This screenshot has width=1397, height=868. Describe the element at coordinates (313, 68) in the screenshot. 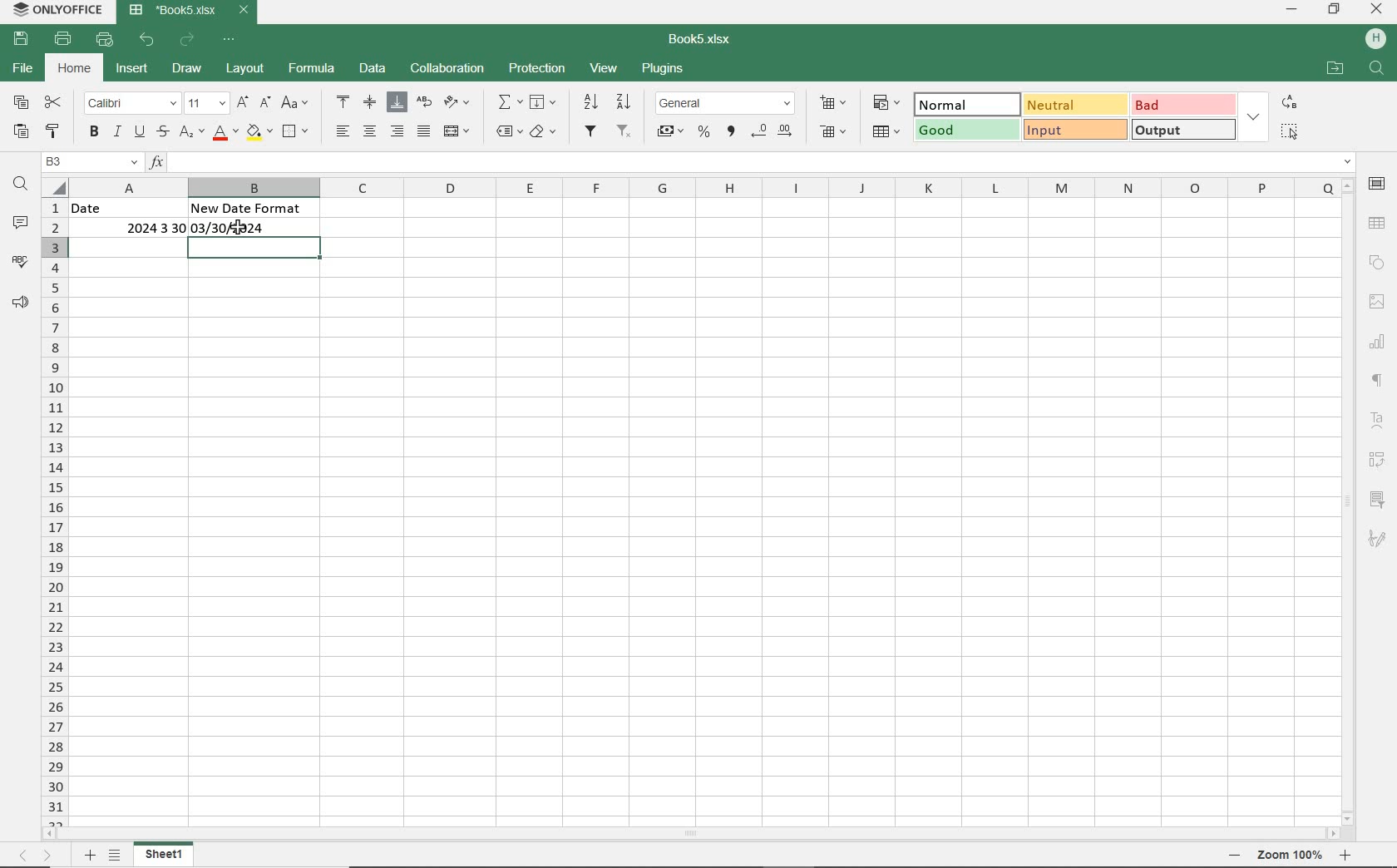

I see `FORMULA` at that location.